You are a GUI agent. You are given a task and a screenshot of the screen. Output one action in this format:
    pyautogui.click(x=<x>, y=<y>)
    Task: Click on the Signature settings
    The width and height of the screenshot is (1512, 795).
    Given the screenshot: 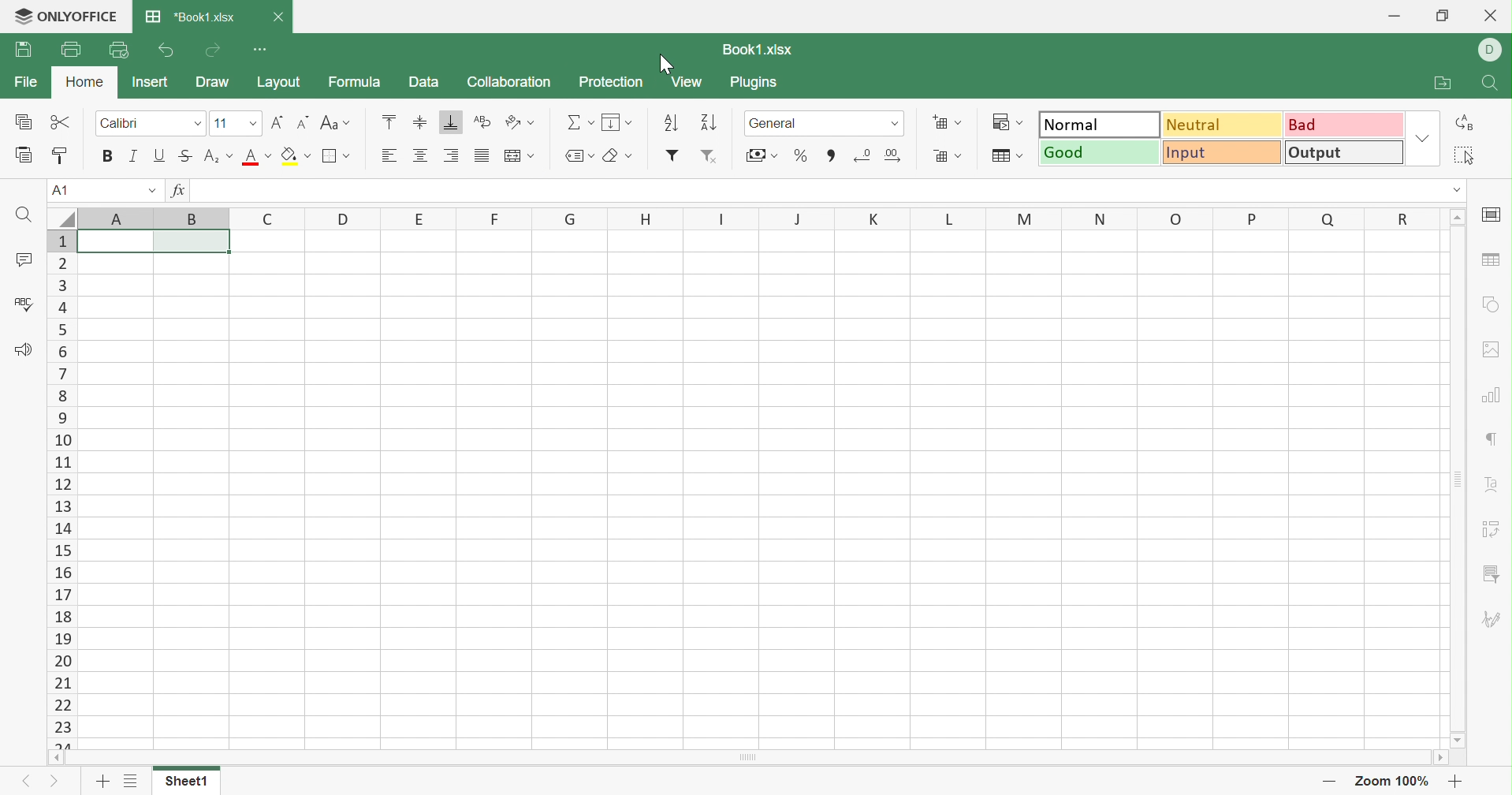 What is the action you would take?
    pyautogui.click(x=1494, y=620)
    